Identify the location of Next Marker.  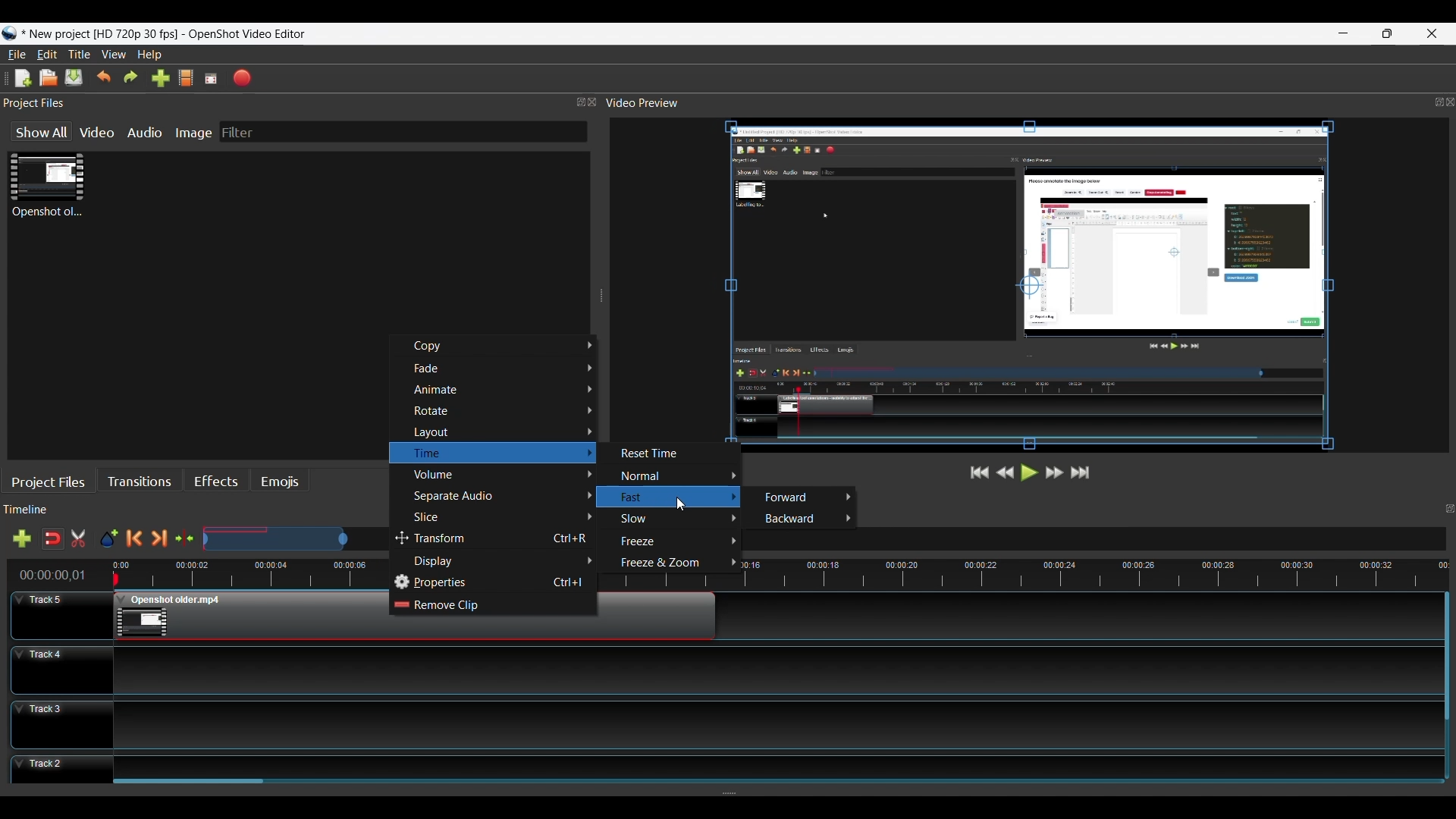
(158, 539).